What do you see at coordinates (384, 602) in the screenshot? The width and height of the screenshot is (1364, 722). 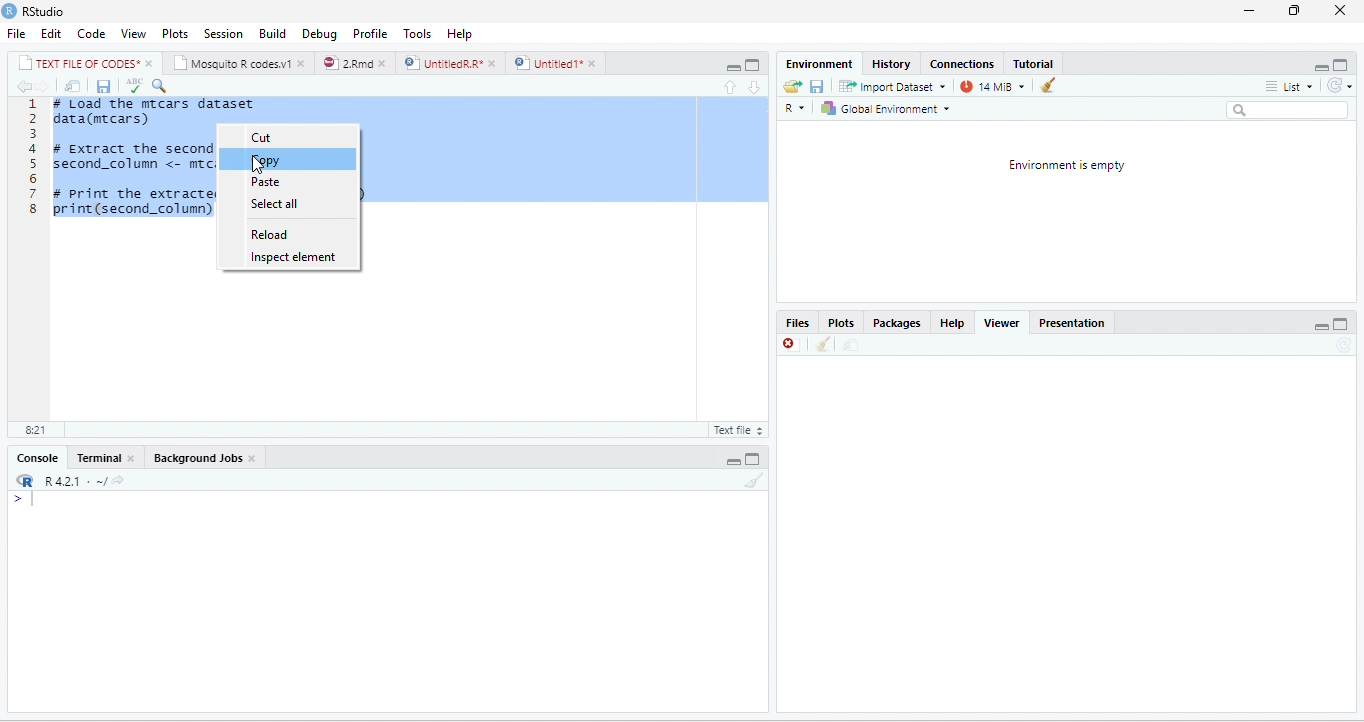 I see `display` at bounding box center [384, 602].